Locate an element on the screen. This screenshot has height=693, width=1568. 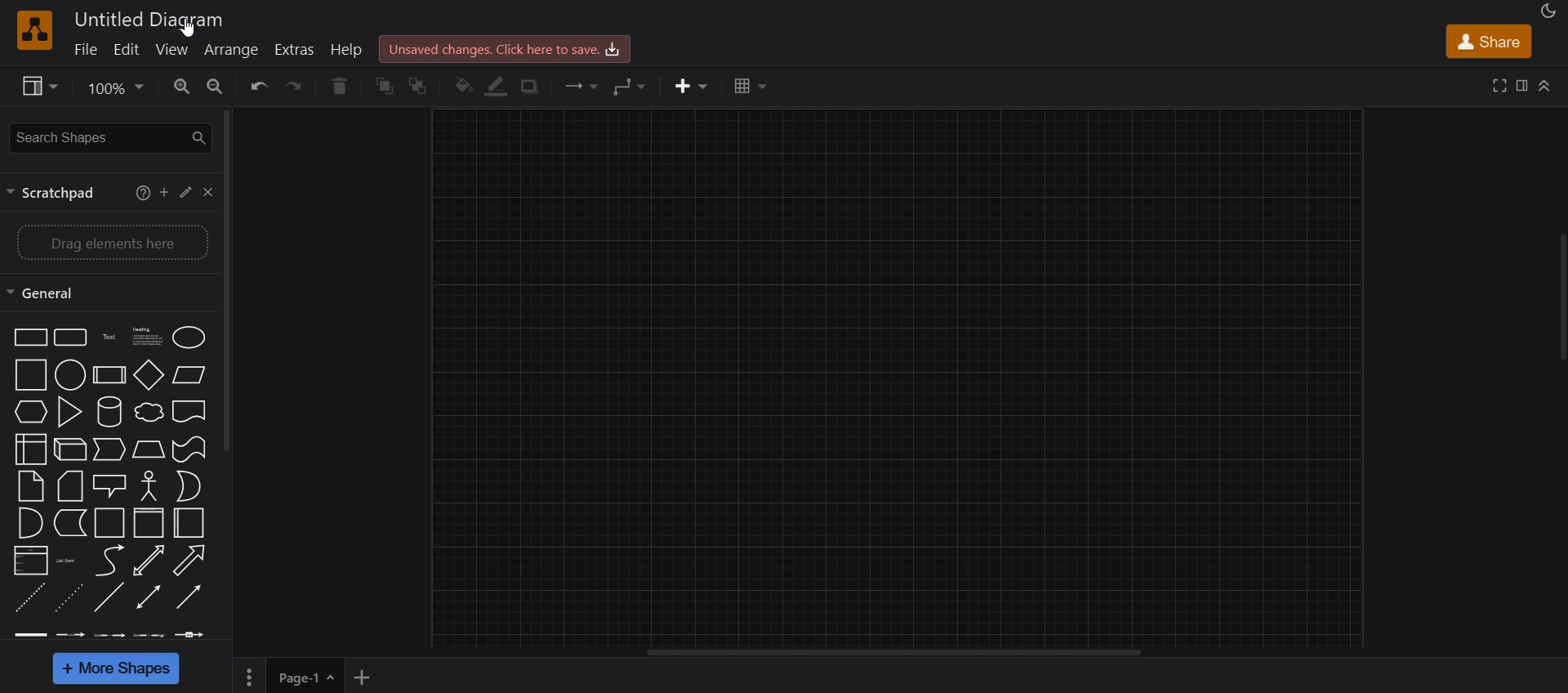
shadow is located at coordinates (535, 87).